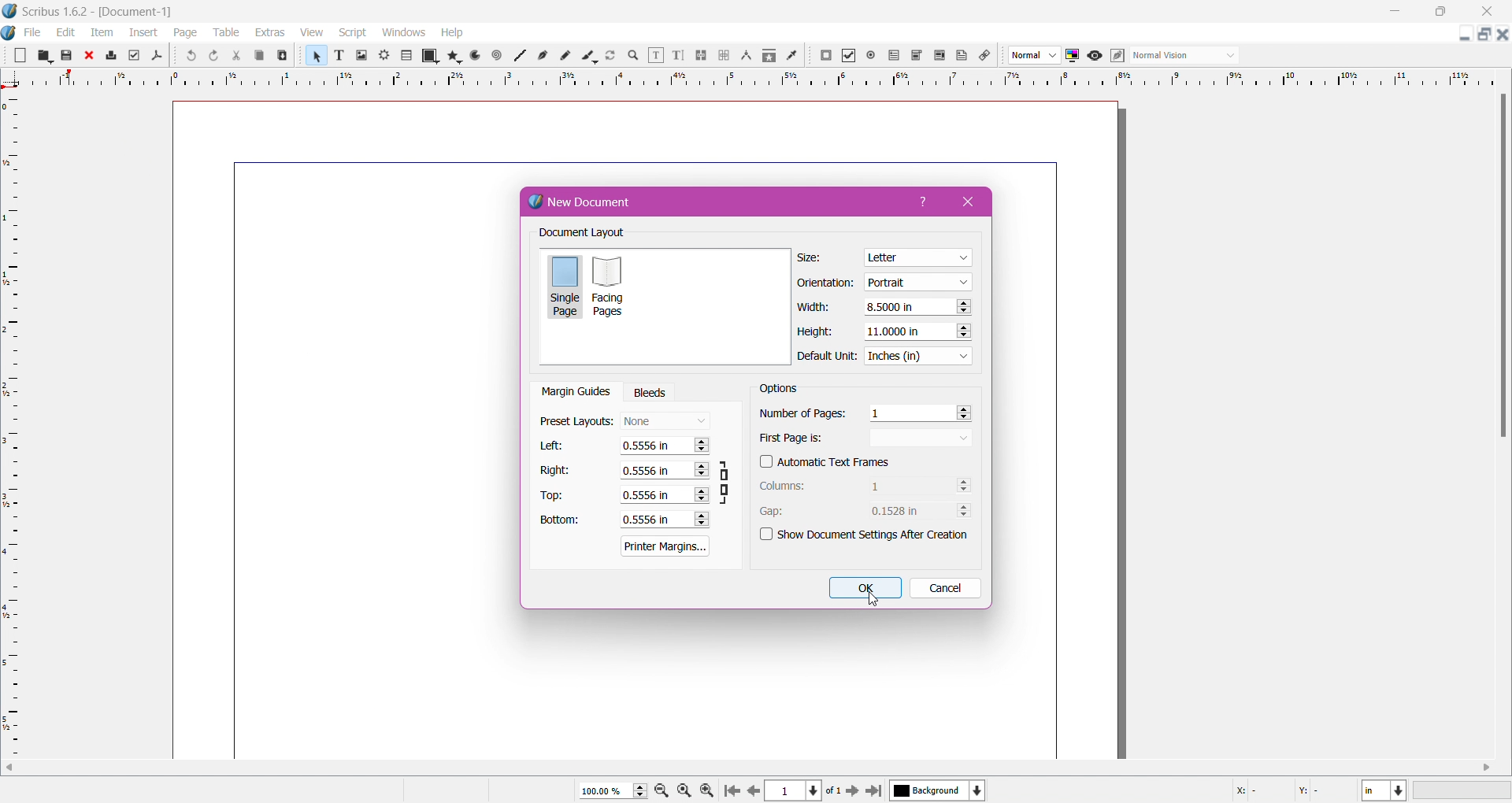 The image size is (1512, 803). I want to click on Edit, so click(67, 31).